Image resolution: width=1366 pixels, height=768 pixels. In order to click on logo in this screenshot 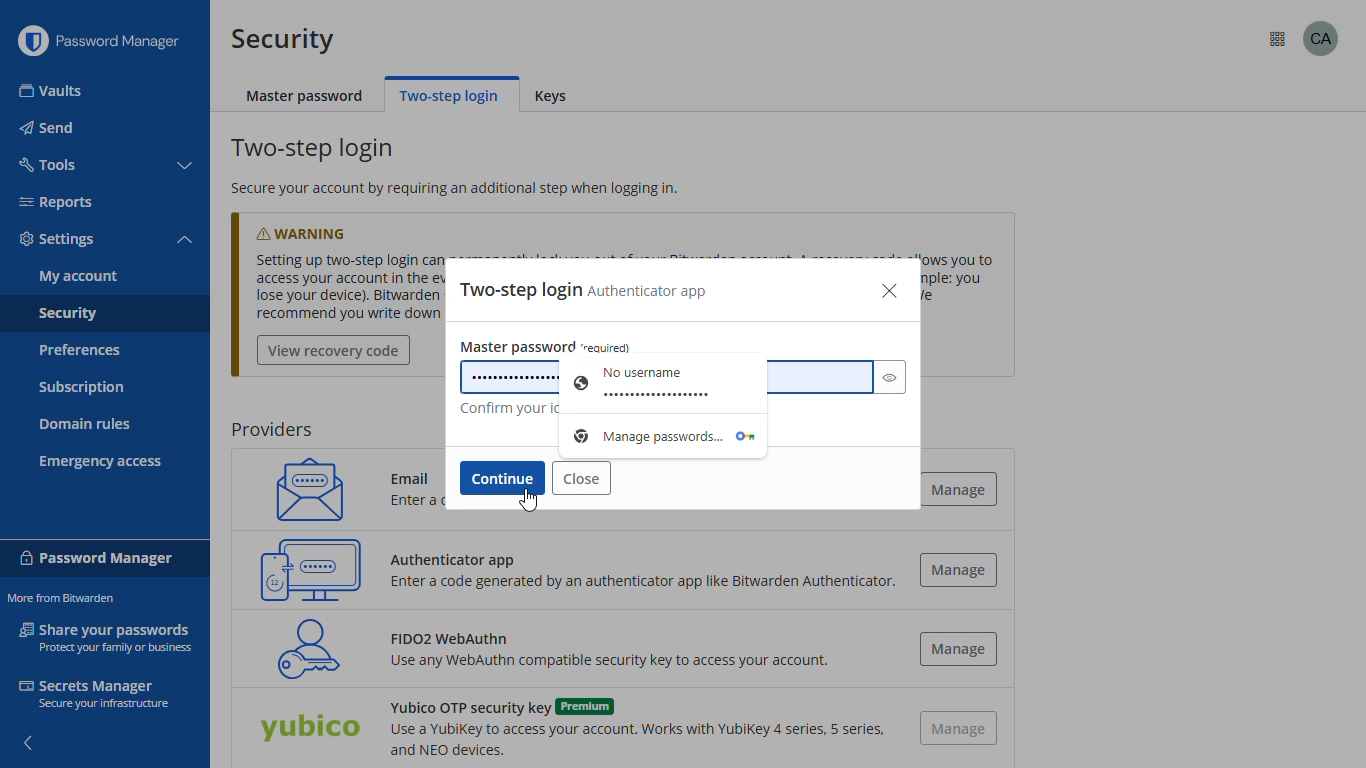, I will do `click(32, 41)`.